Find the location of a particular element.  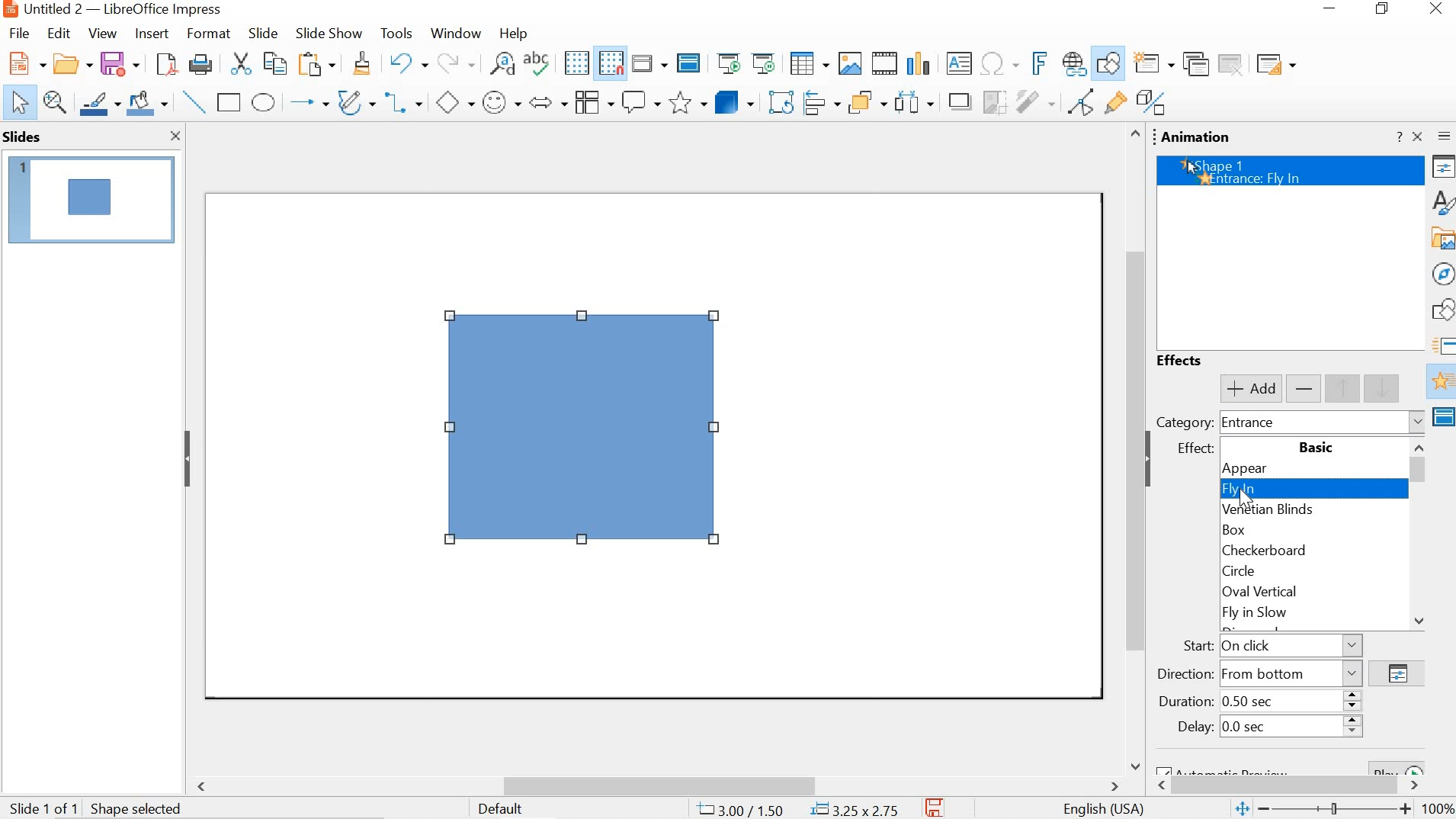

circle is located at coordinates (1301, 570).